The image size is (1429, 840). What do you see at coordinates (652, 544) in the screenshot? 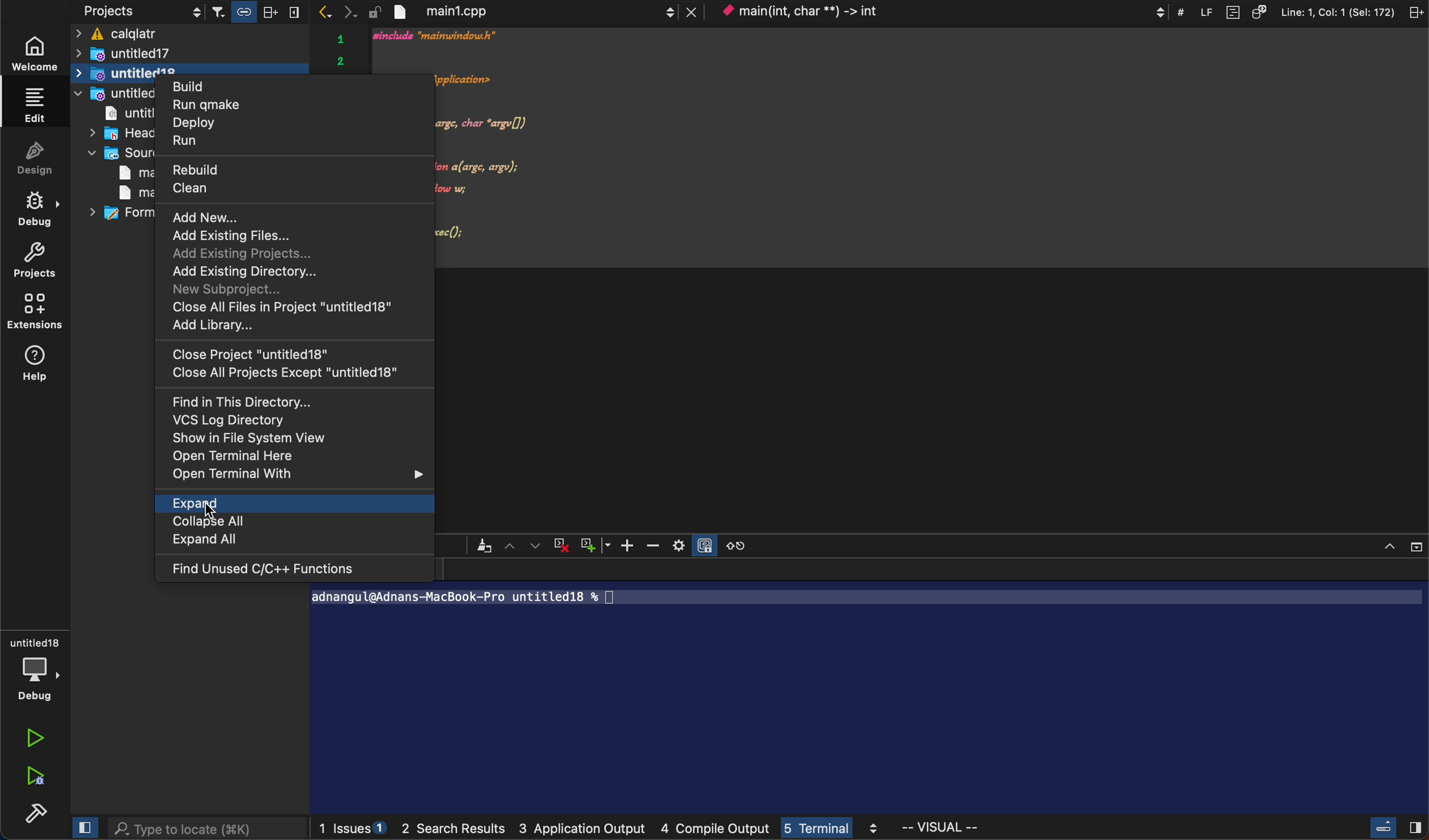
I see `zoom out` at bounding box center [652, 544].